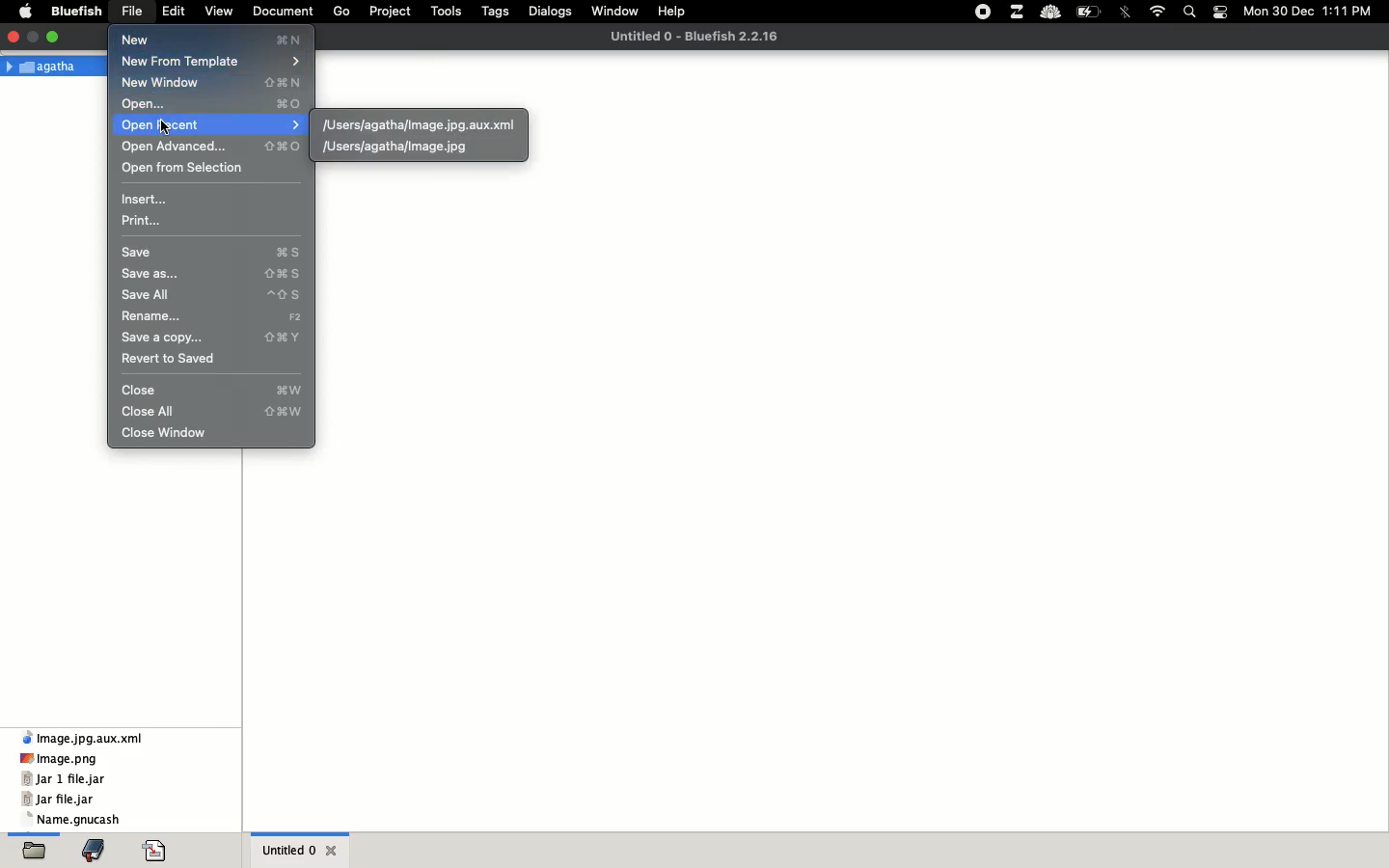 The width and height of the screenshot is (1389, 868). What do you see at coordinates (1222, 12) in the screenshot?
I see `notification` at bounding box center [1222, 12].